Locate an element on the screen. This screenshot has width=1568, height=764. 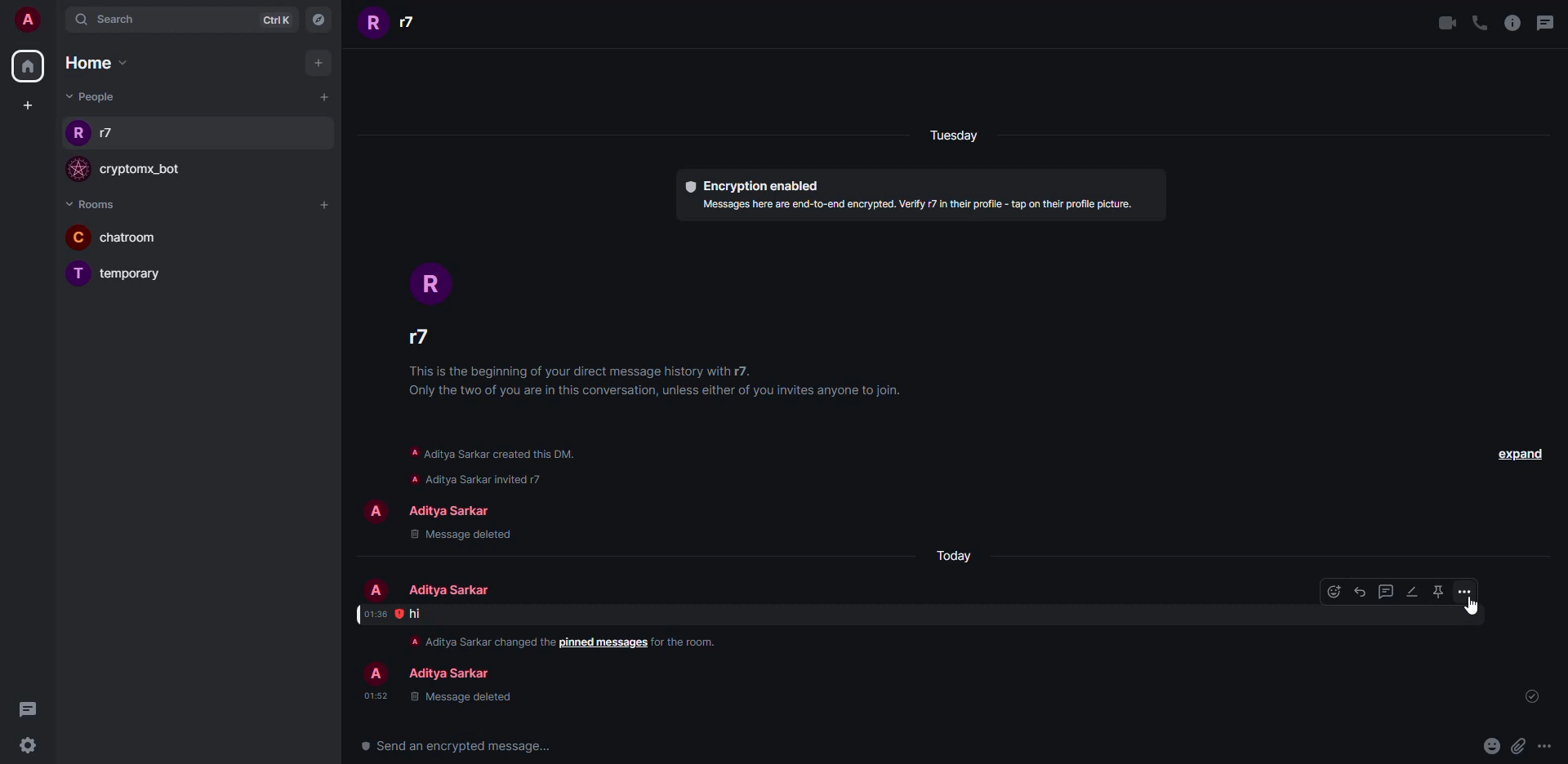
info is located at coordinates (476, 641).